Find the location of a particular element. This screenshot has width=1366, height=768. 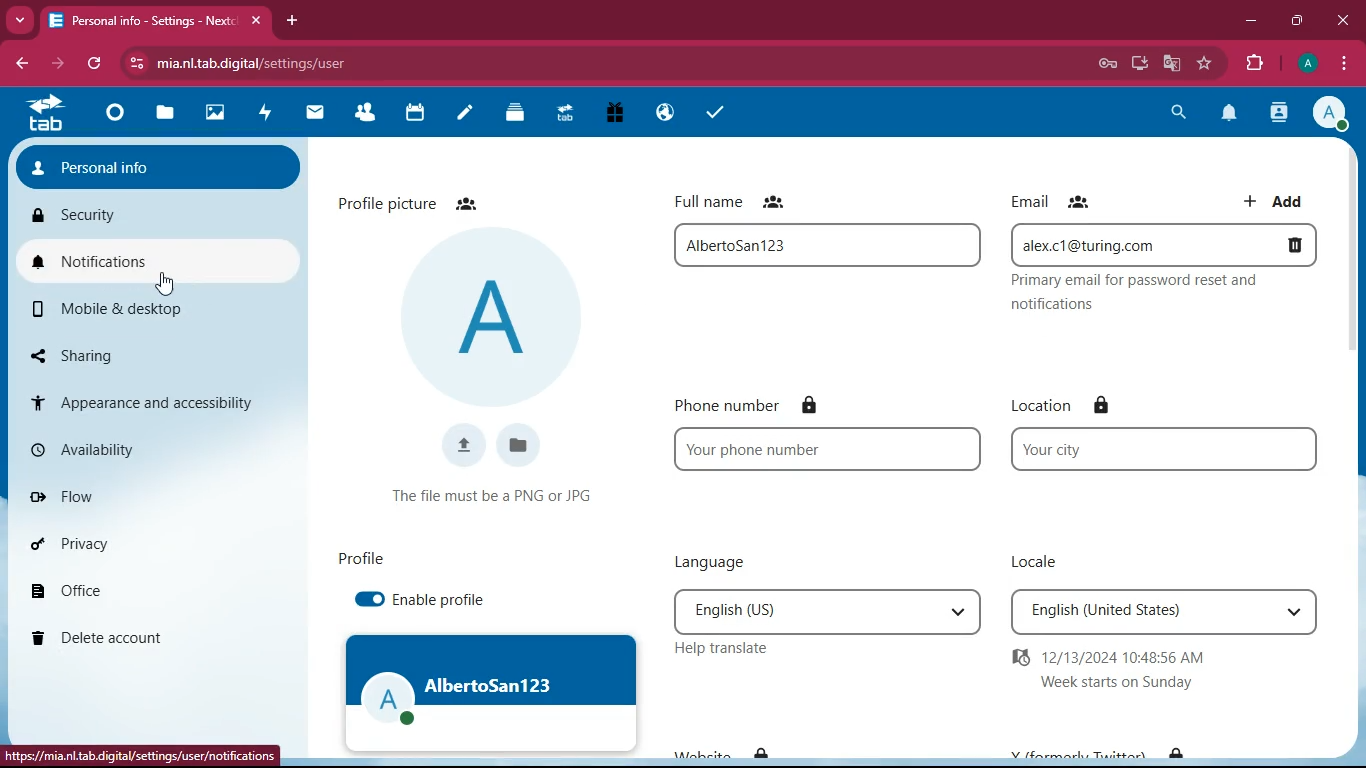

delete account is located at coordinates (151, 637).